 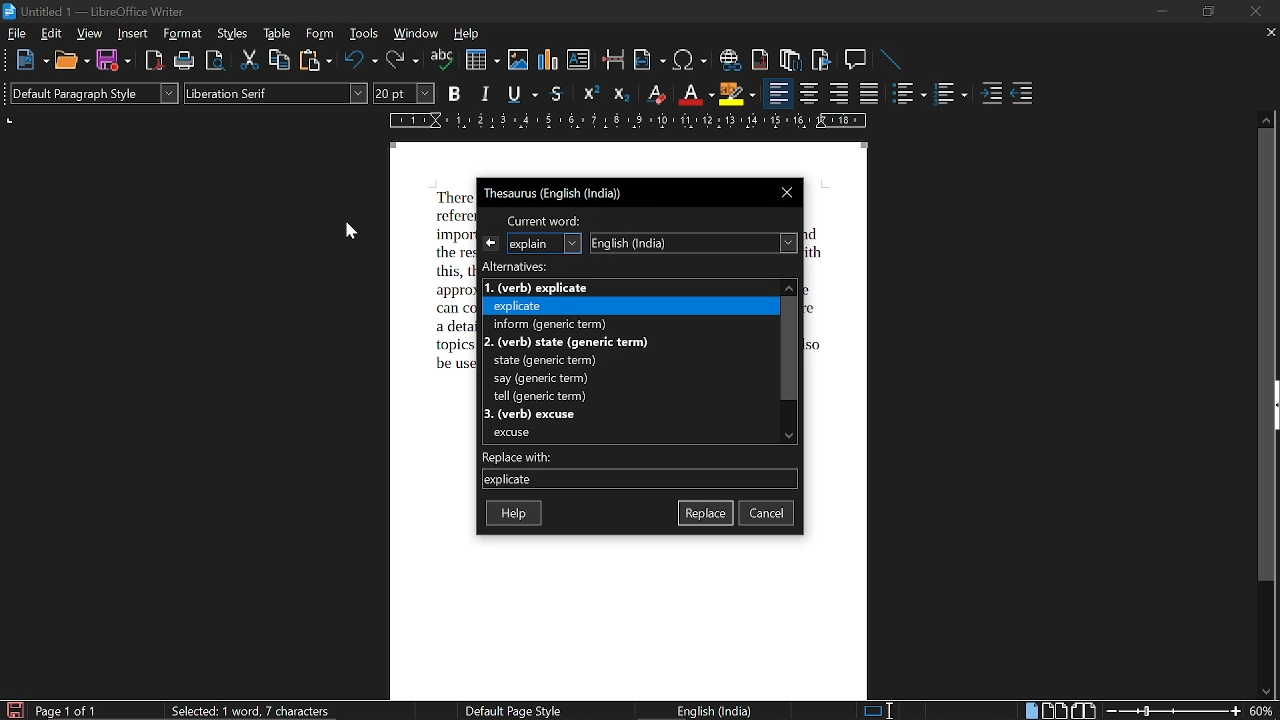 What do you see at coordinates (543, 221) in the screenshot?
I see `current word` at bounding box center [543, 221].